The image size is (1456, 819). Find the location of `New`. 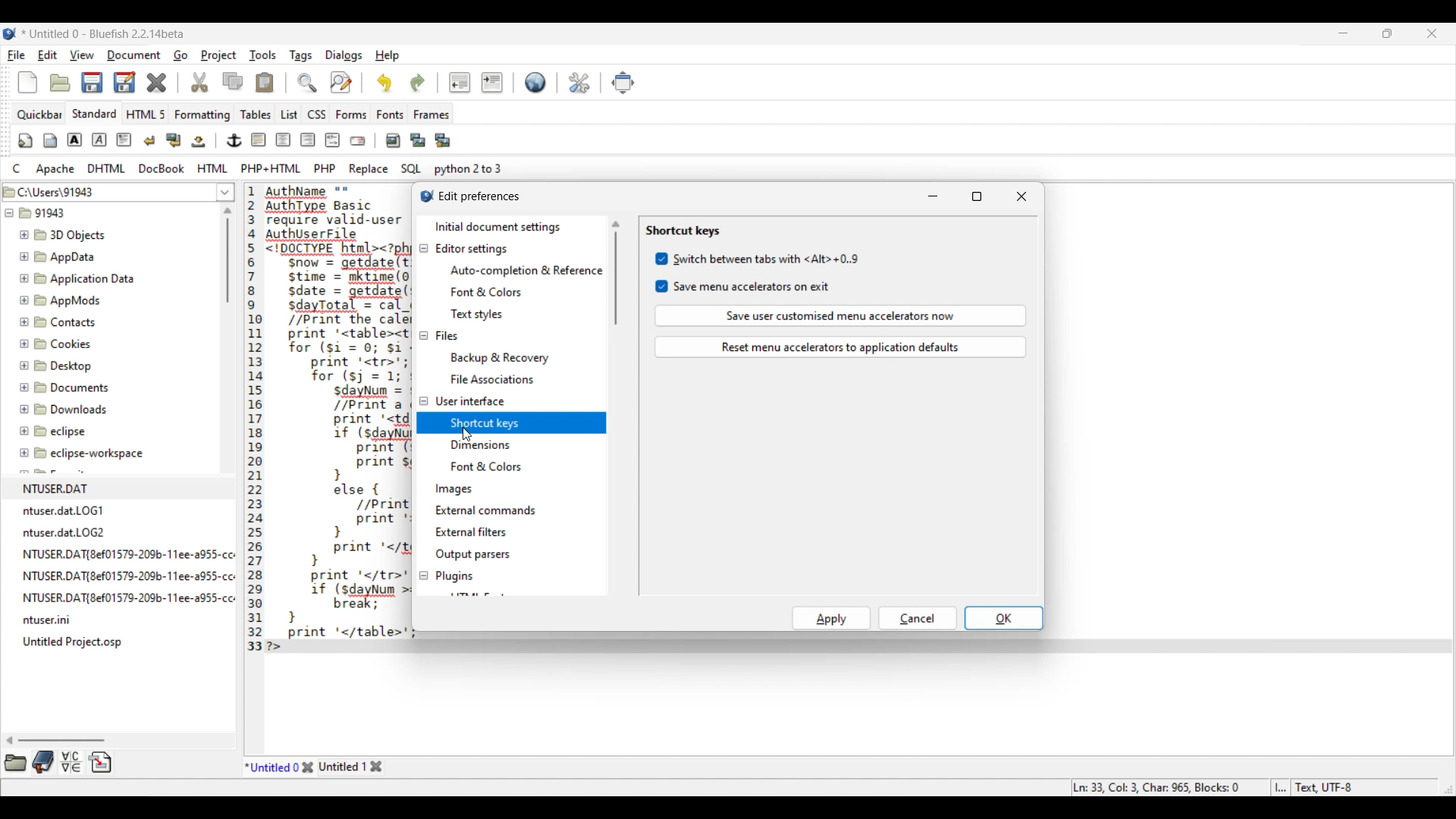

New is located at coordinates (28, 83).